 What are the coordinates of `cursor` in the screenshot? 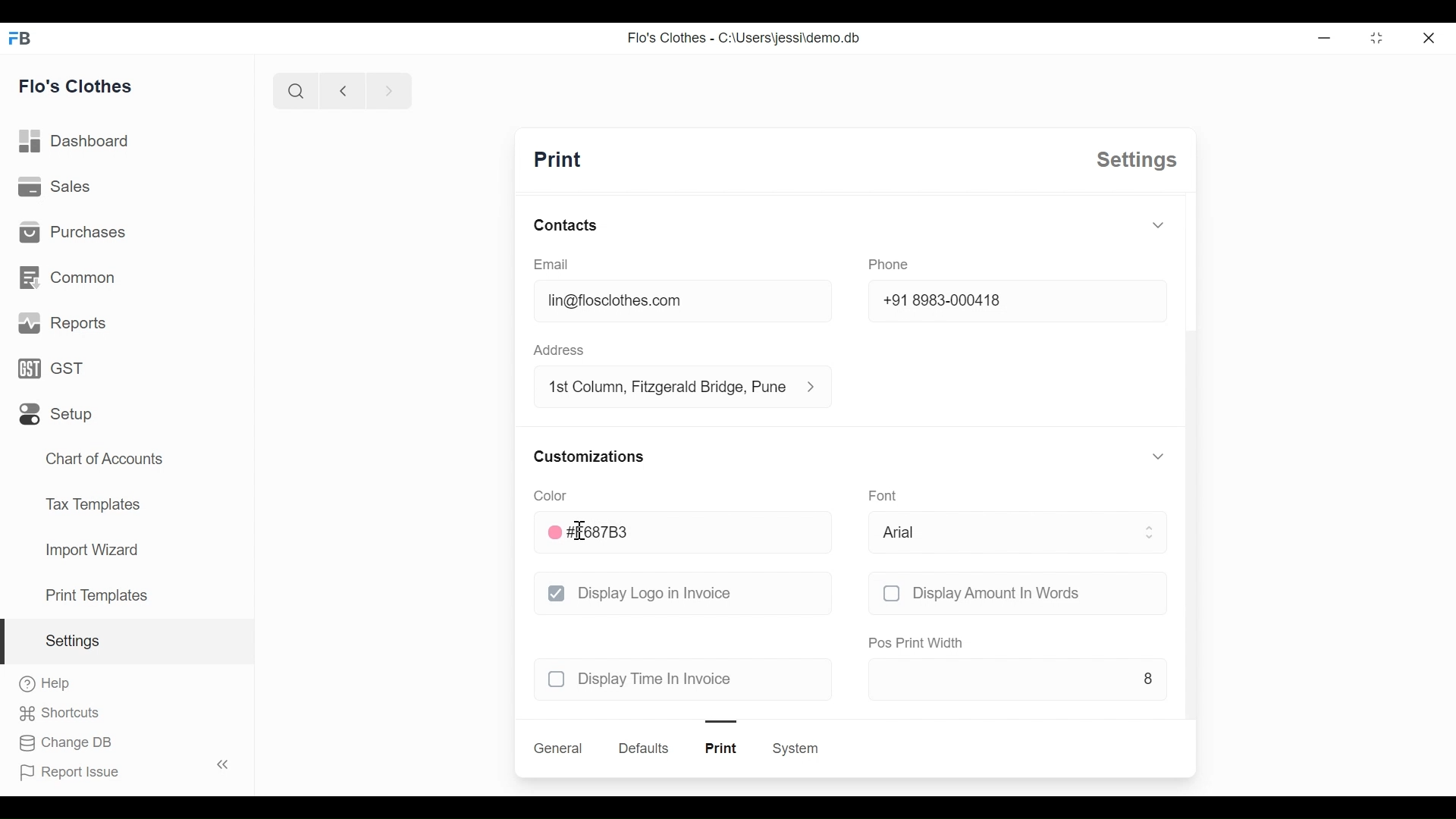 It's located at (579, 529).